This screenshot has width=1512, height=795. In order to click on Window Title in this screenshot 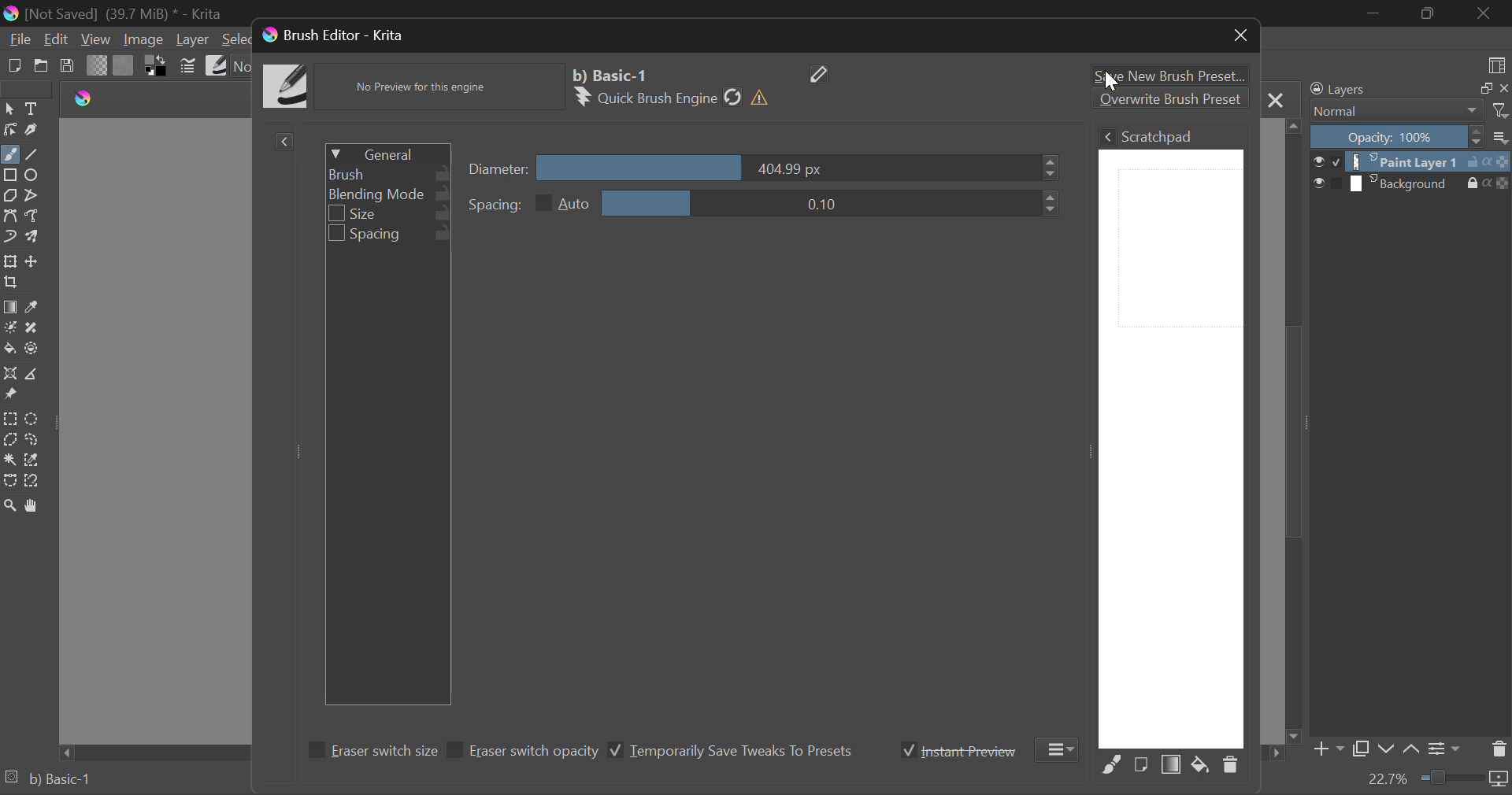, I will do `click(332, 35)`.